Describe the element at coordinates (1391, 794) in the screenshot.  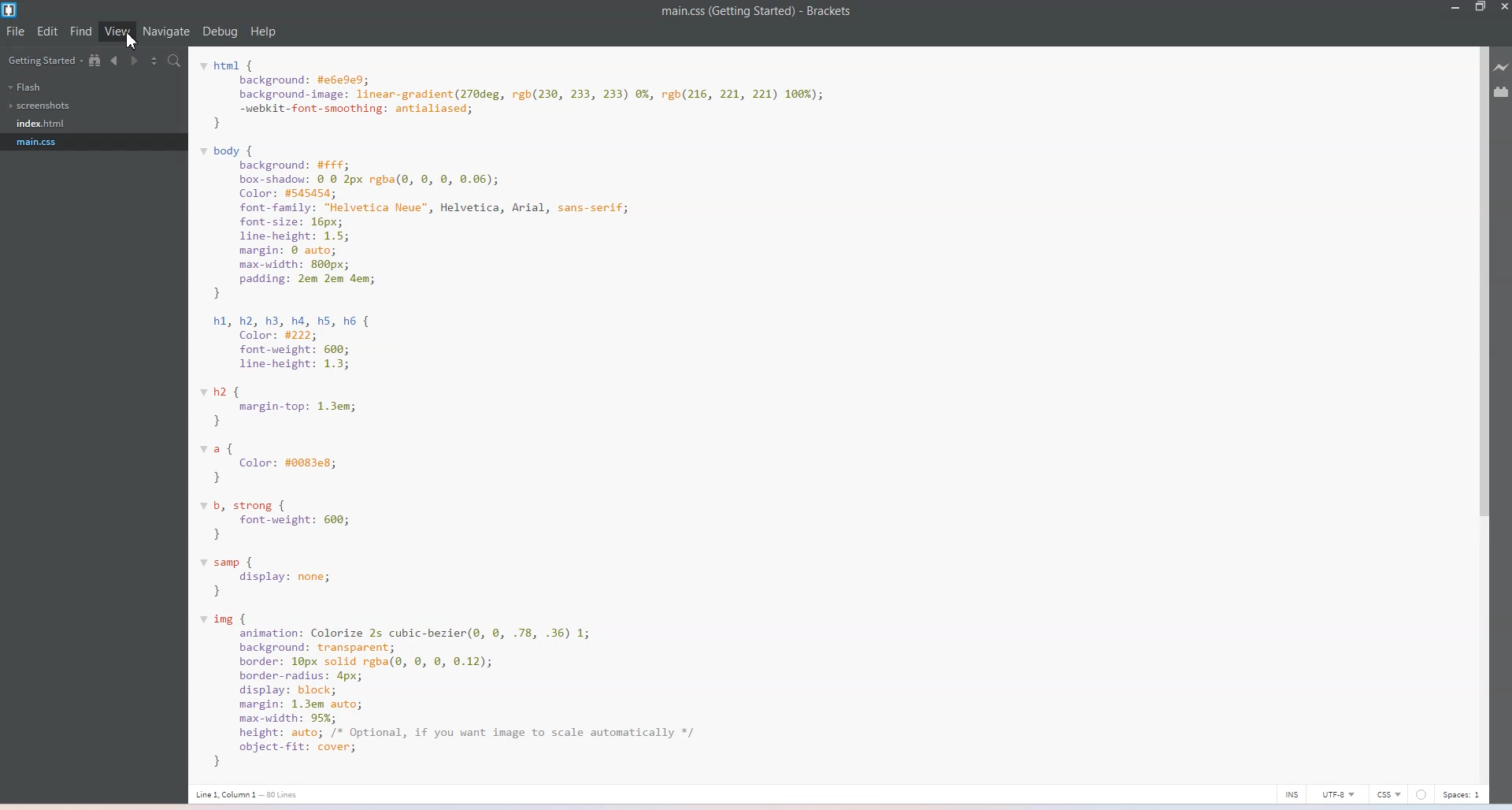
I see `CSS` at that location.